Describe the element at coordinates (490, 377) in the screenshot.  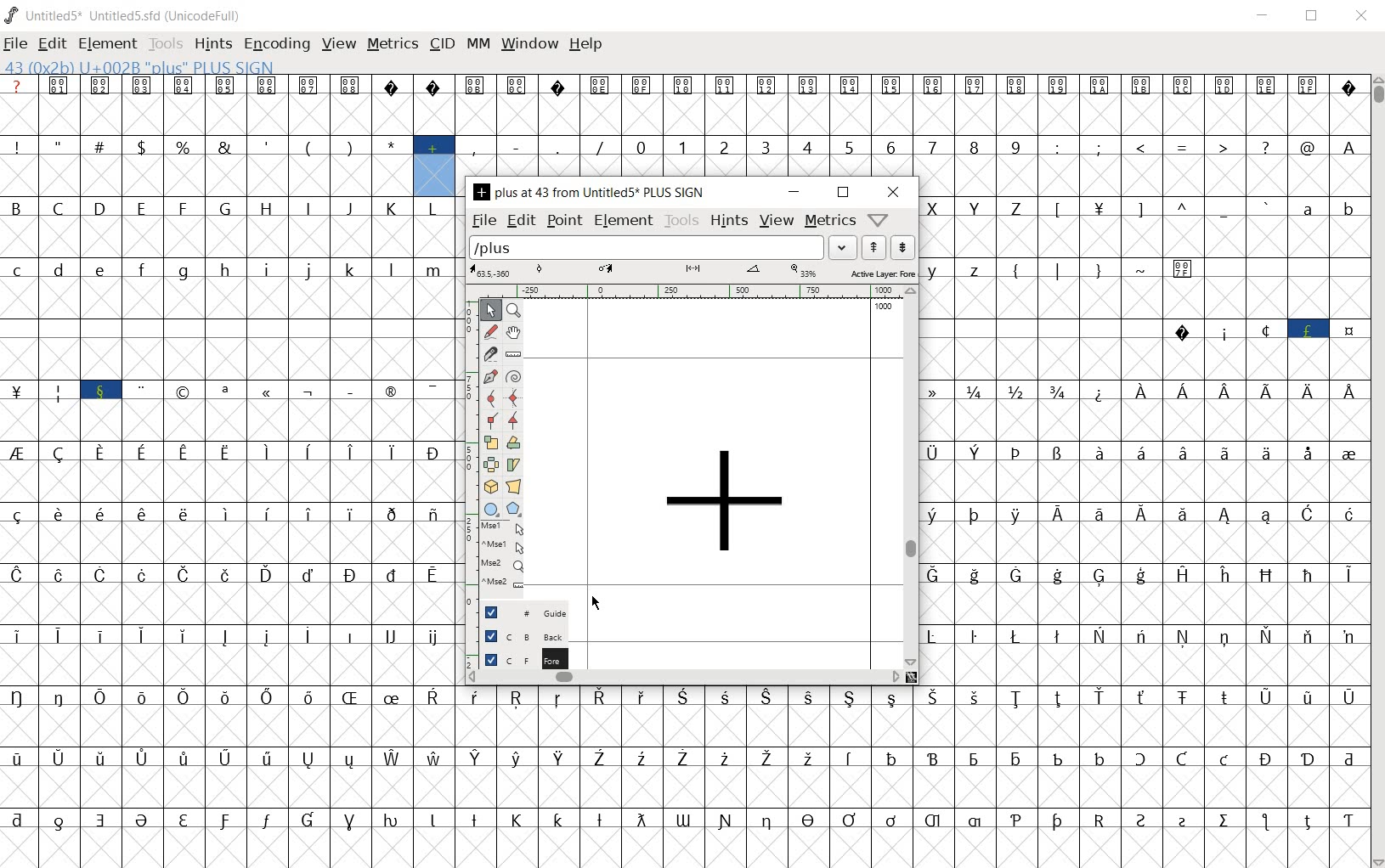
I see `add a point, then drag out its control points` at that location.